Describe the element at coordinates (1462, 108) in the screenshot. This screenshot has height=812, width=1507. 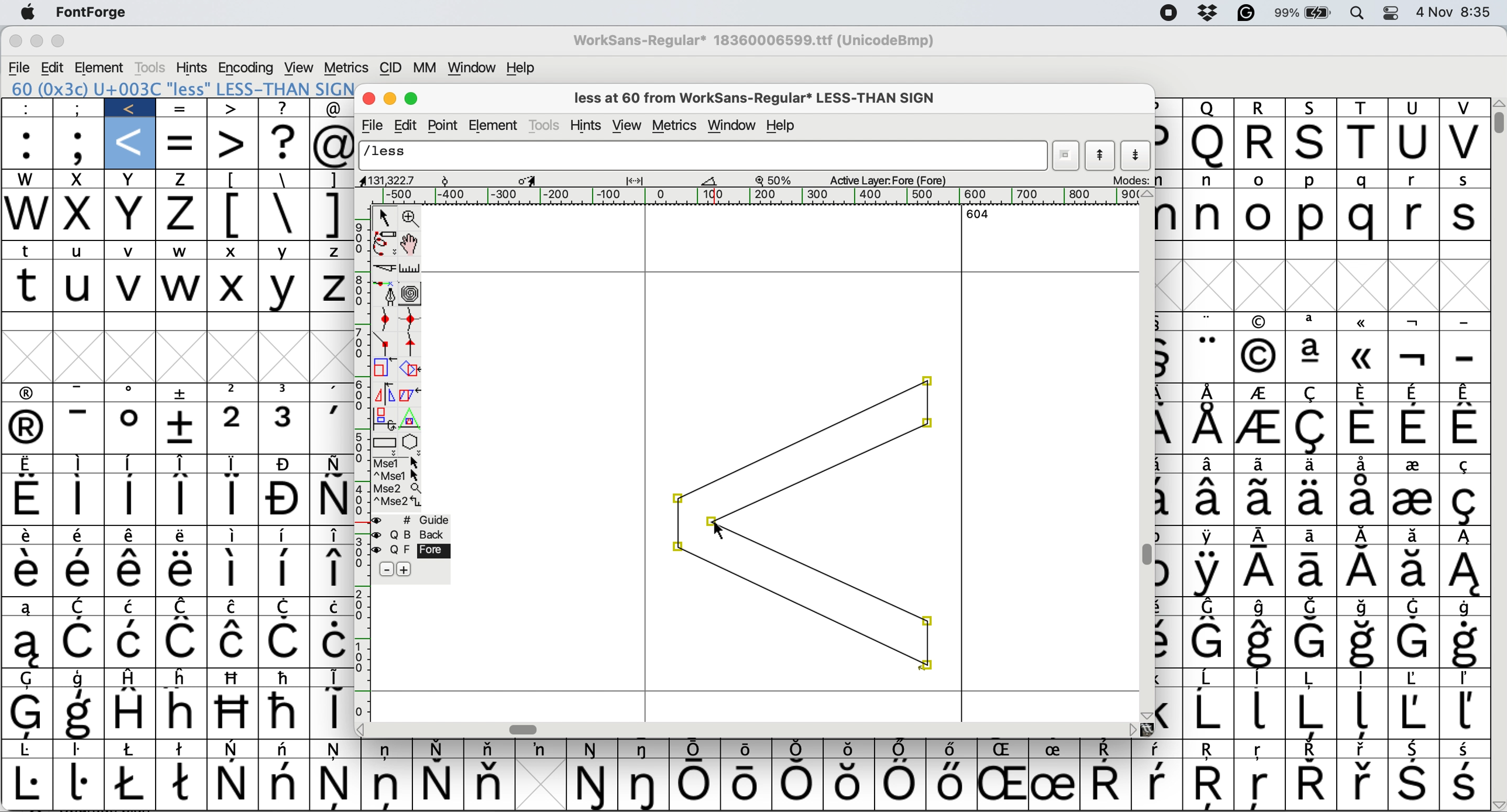
I see `v` at that location.